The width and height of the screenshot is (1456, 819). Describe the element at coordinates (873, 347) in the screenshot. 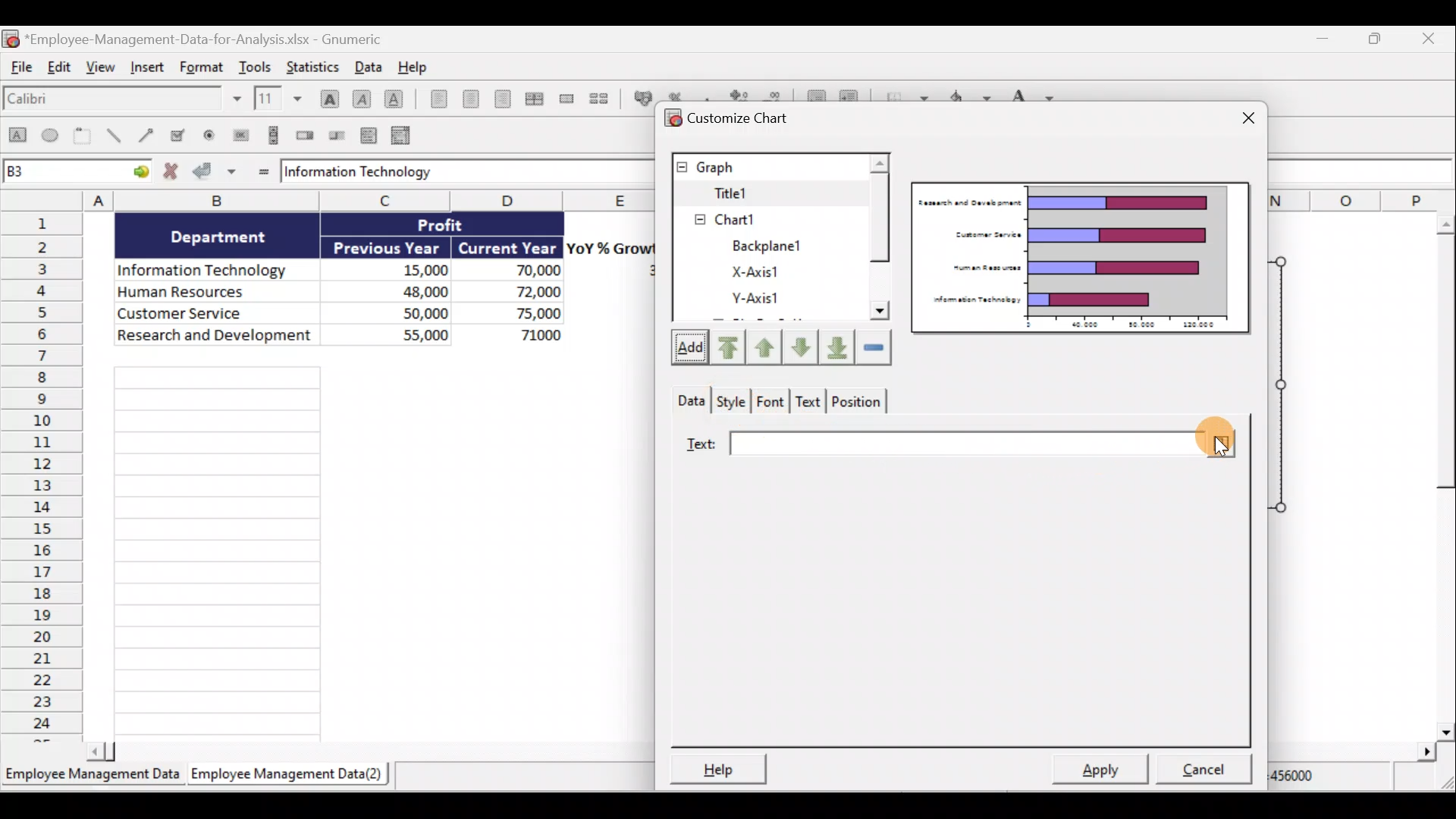

I see `Remove` at that location.